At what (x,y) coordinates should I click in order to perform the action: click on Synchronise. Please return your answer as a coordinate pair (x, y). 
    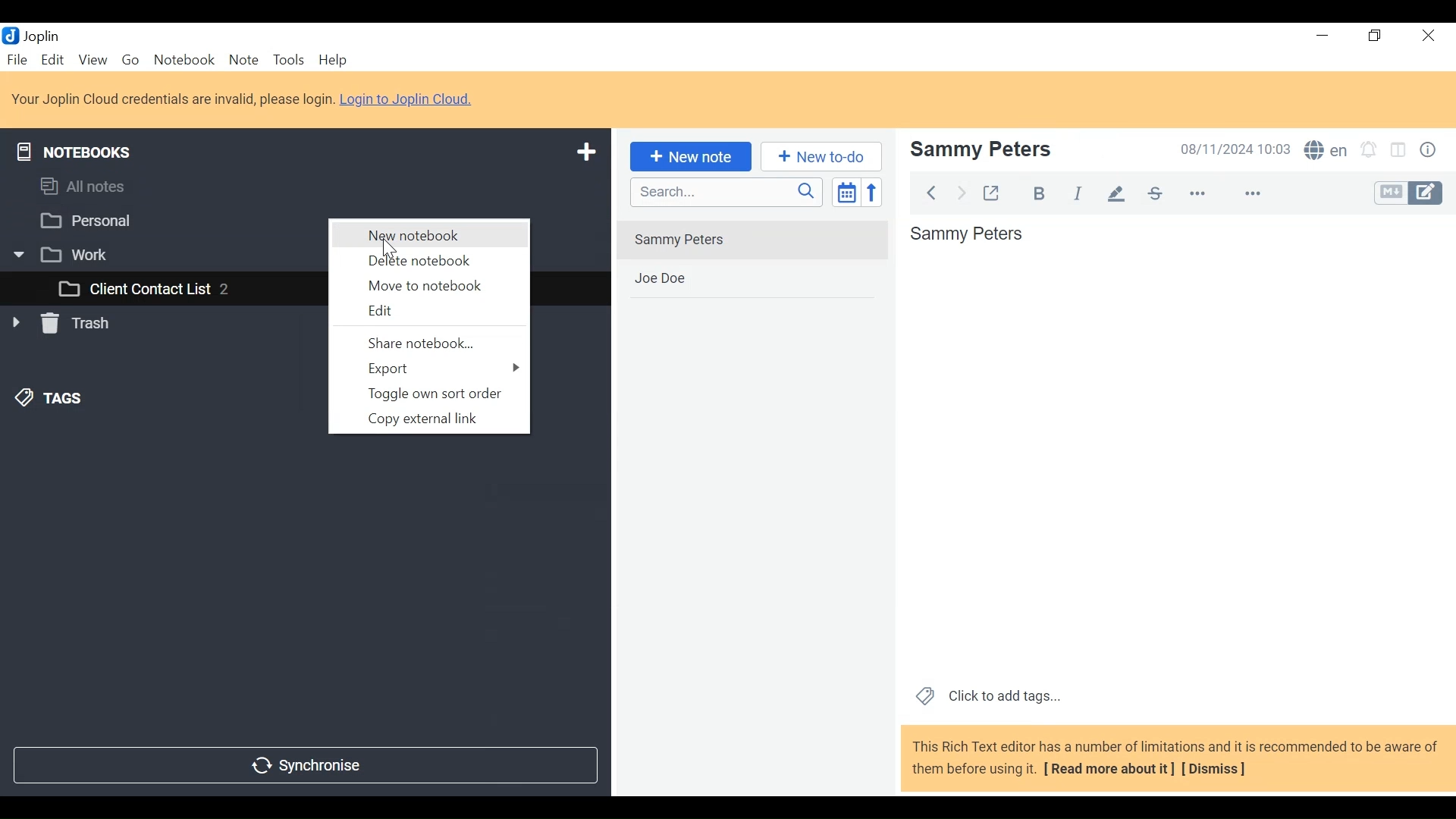
    Looking at the image, I should click on (308, 765).